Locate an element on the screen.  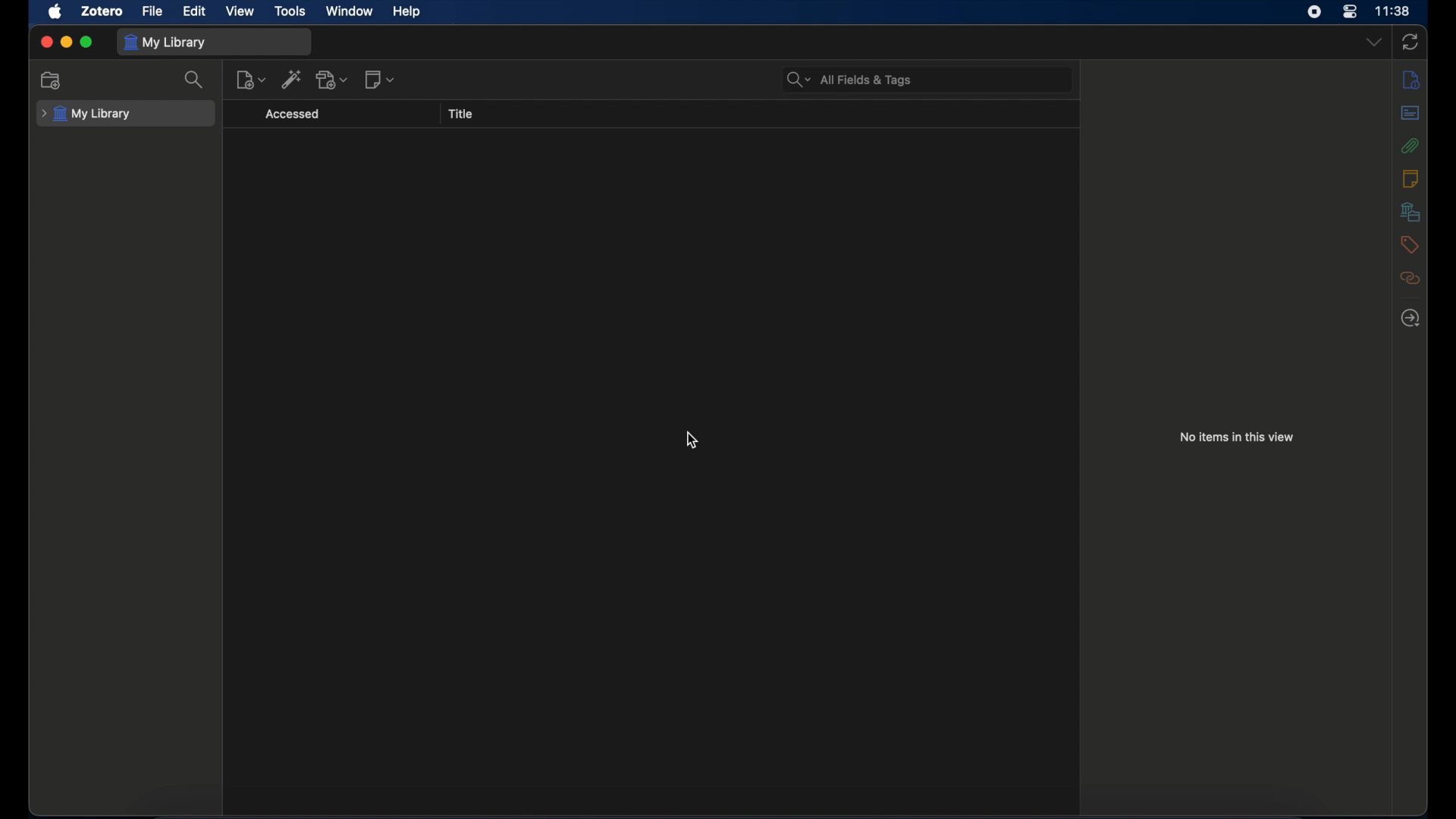
close is located at coordinates (46, 42).